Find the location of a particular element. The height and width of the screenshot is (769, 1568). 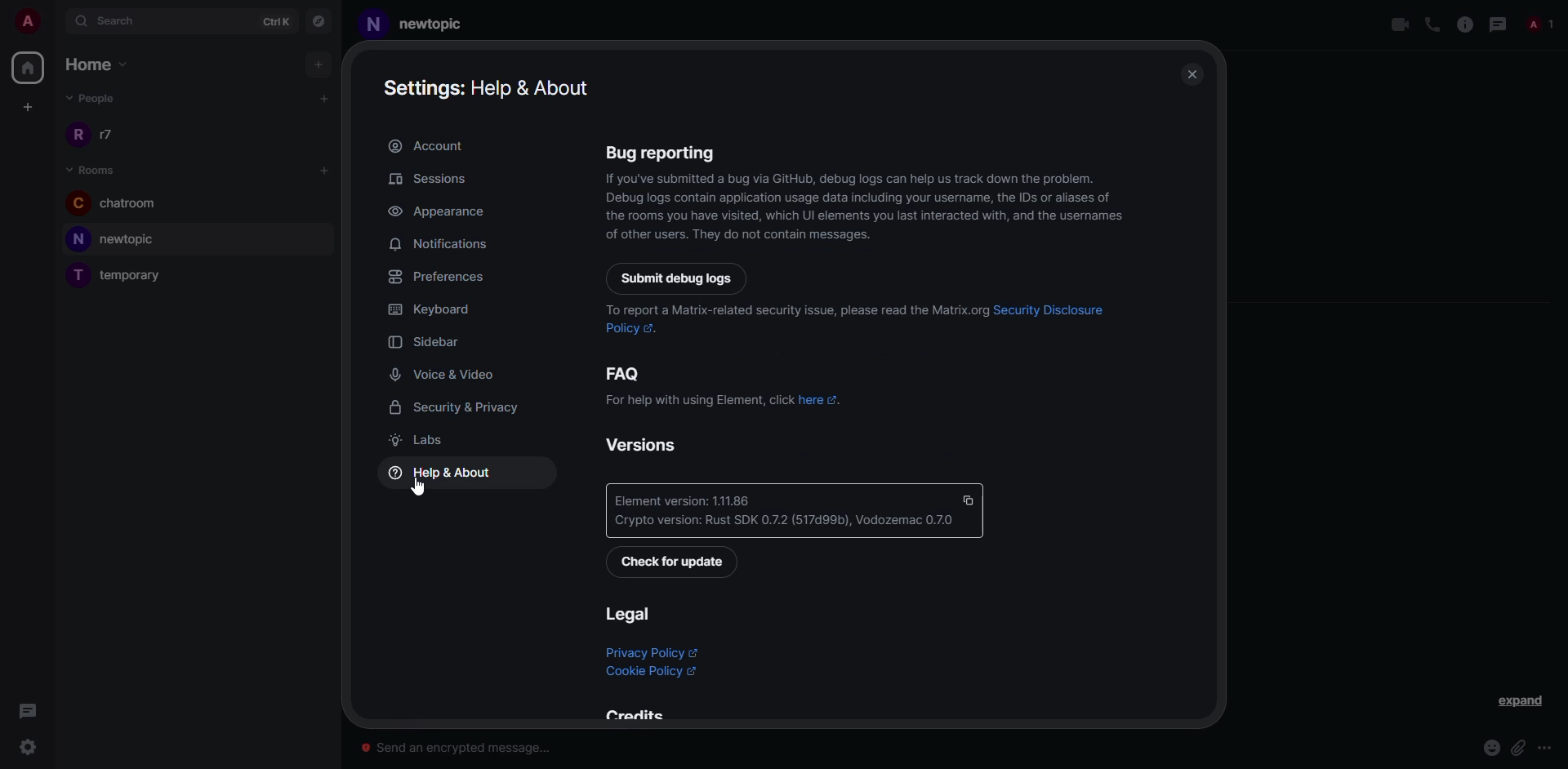

faq is located at coordinates (624, 372).